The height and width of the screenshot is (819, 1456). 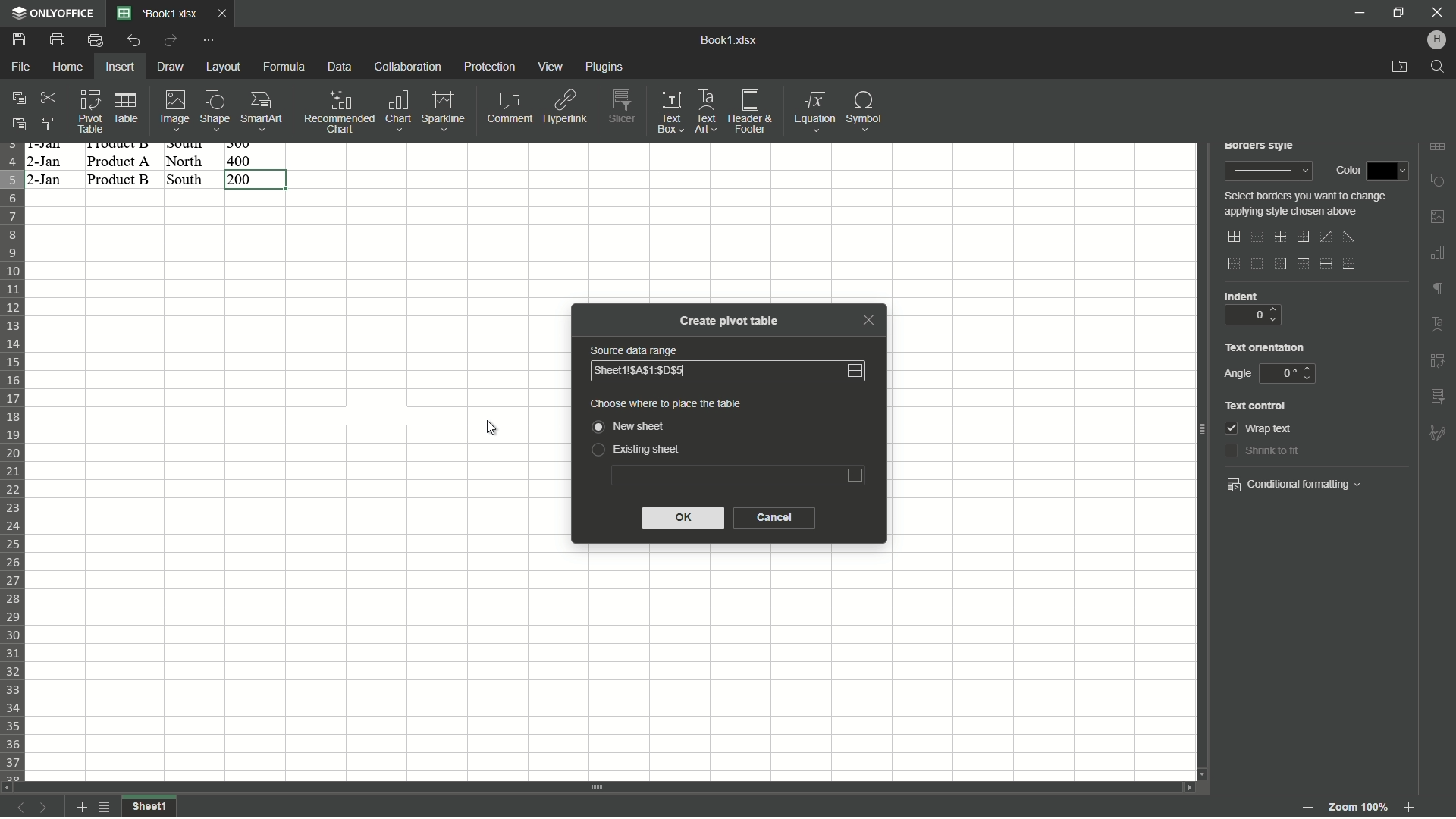 I want to click on plugins, so click(x=604, y=67).